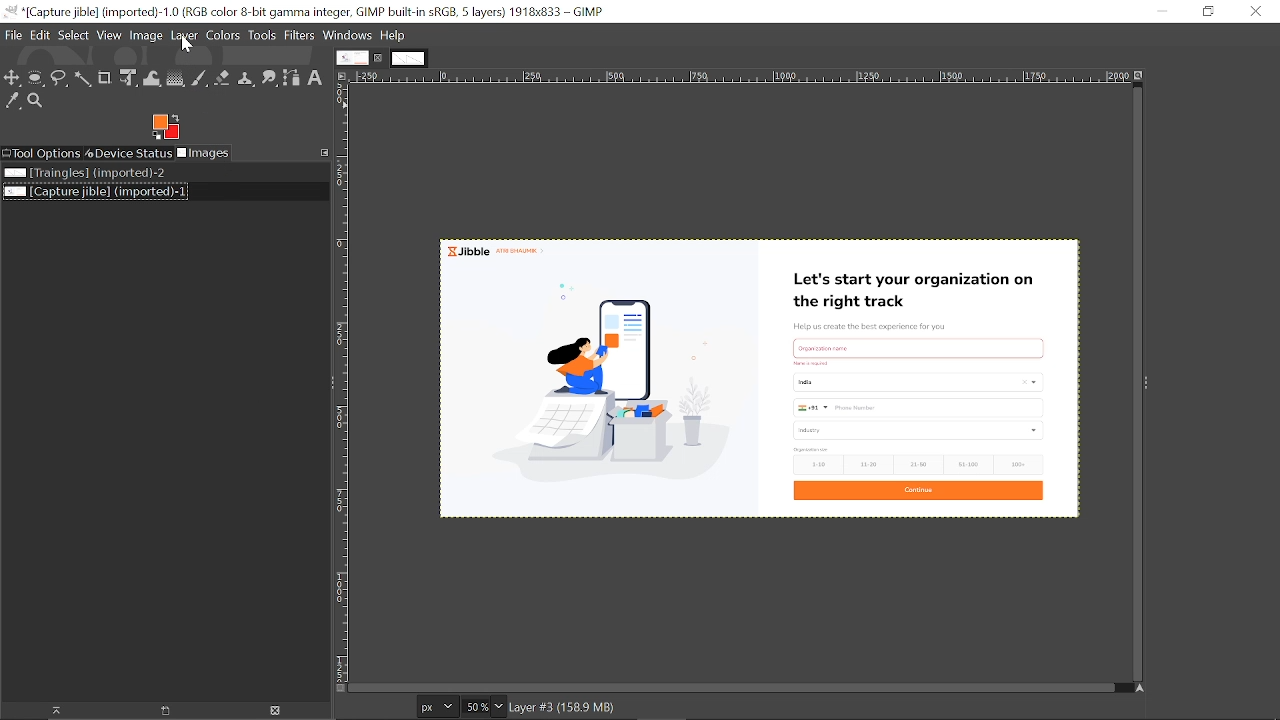 This screenshot has height=720, width=1280. What do you see at coordinates (11, 34) in the screenshot?
I see `File` at bounding box center [11, 34].